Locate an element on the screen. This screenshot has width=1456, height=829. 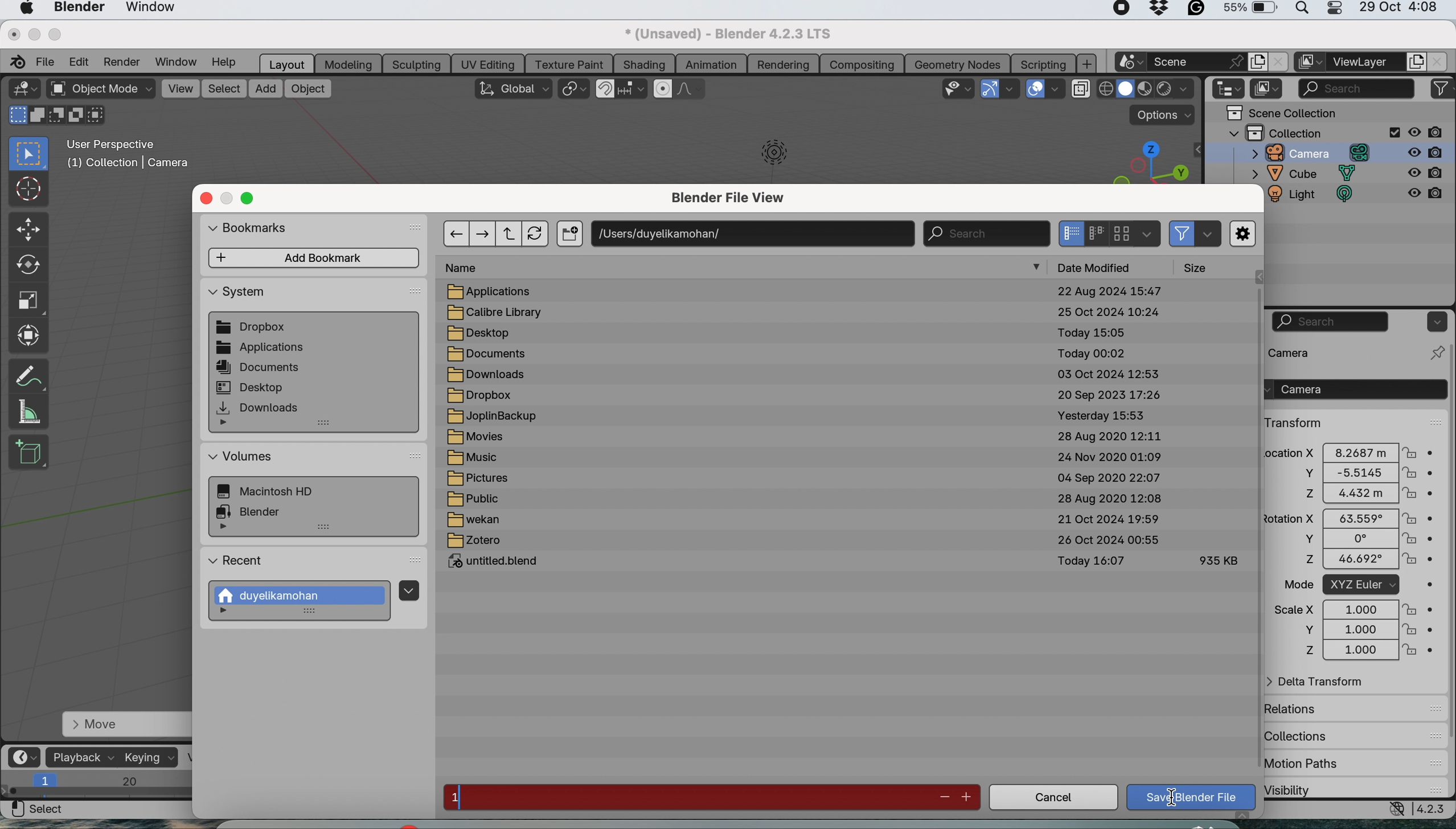
cancel is located at coordinates (1053, 799).